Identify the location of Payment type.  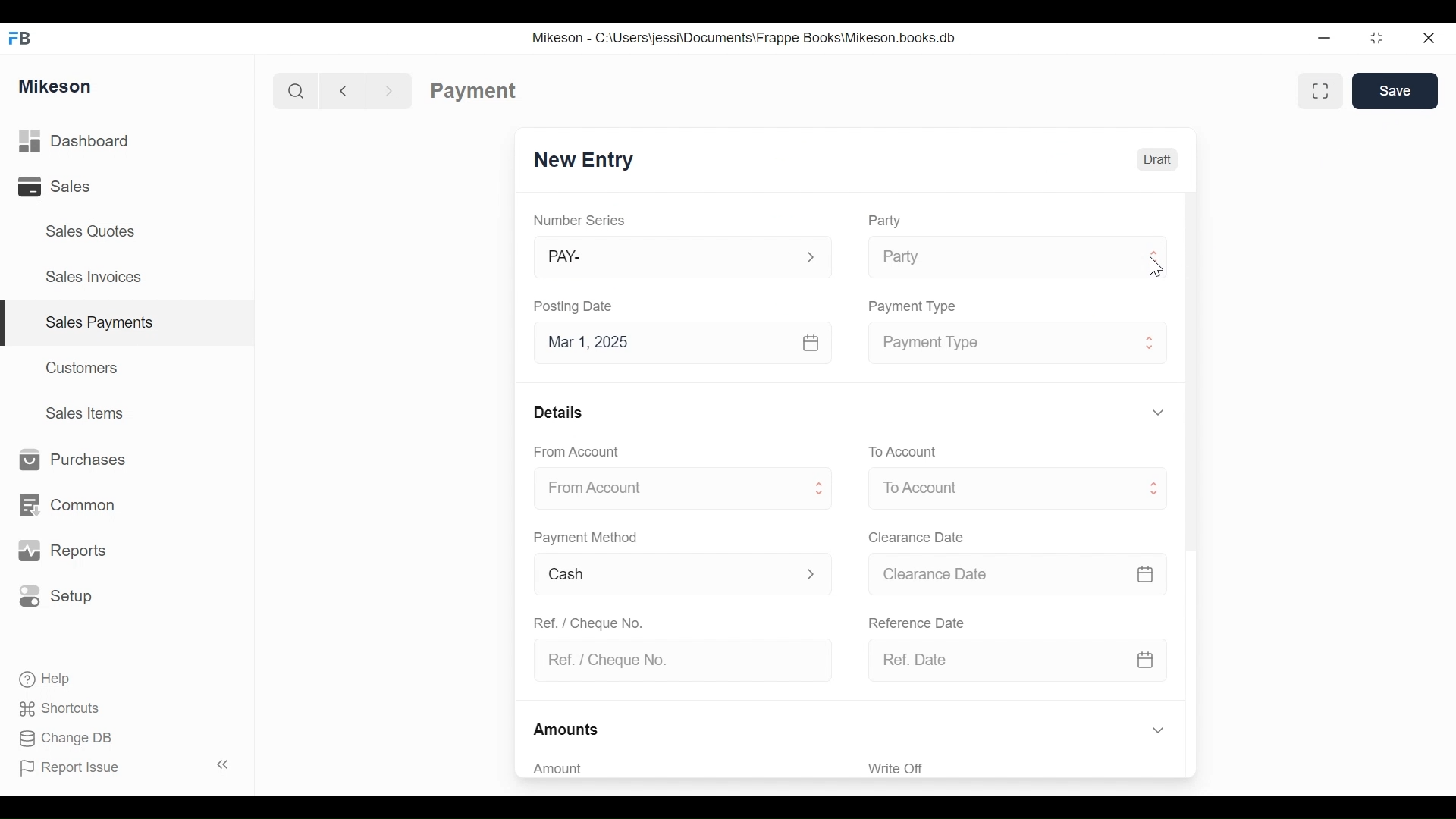
(1018, 343).